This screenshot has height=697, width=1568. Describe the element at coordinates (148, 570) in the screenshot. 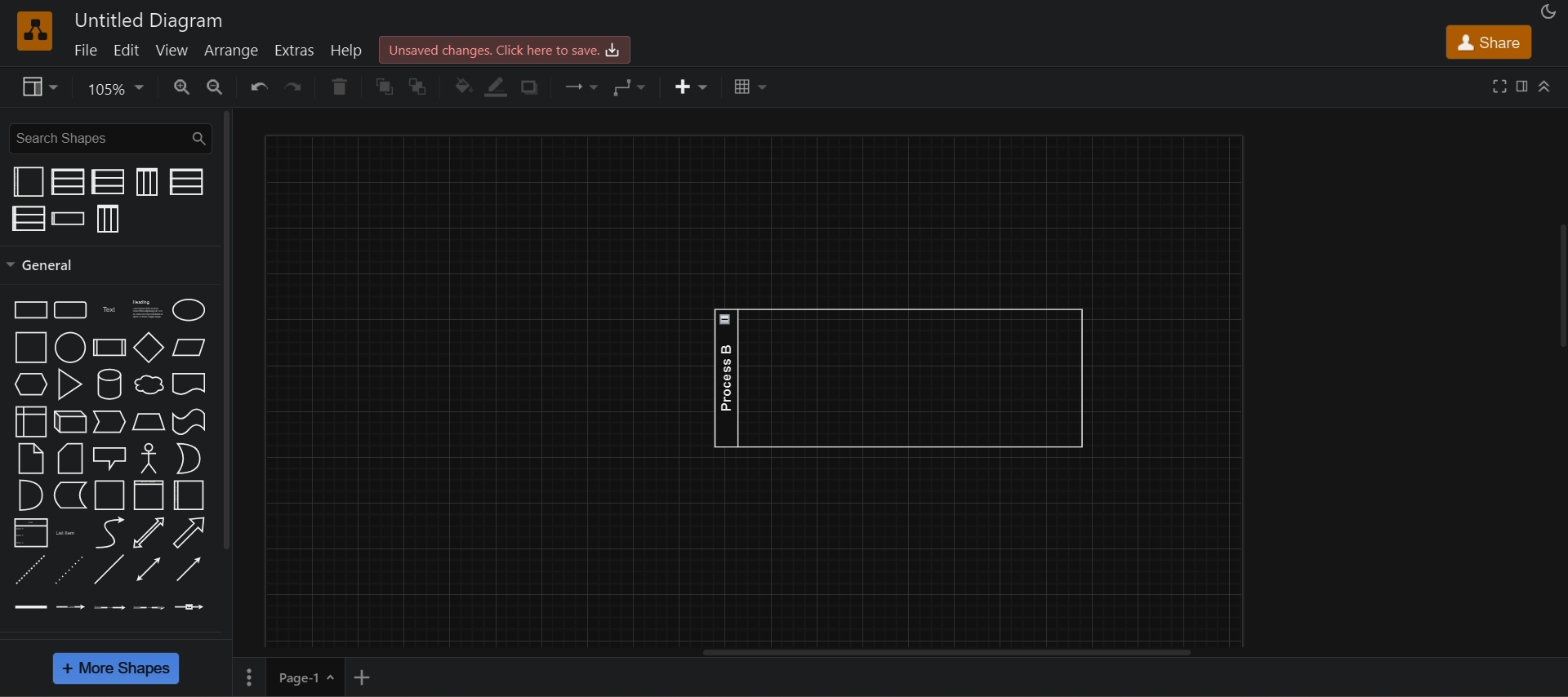

I see `bidirectional connector` at that location.